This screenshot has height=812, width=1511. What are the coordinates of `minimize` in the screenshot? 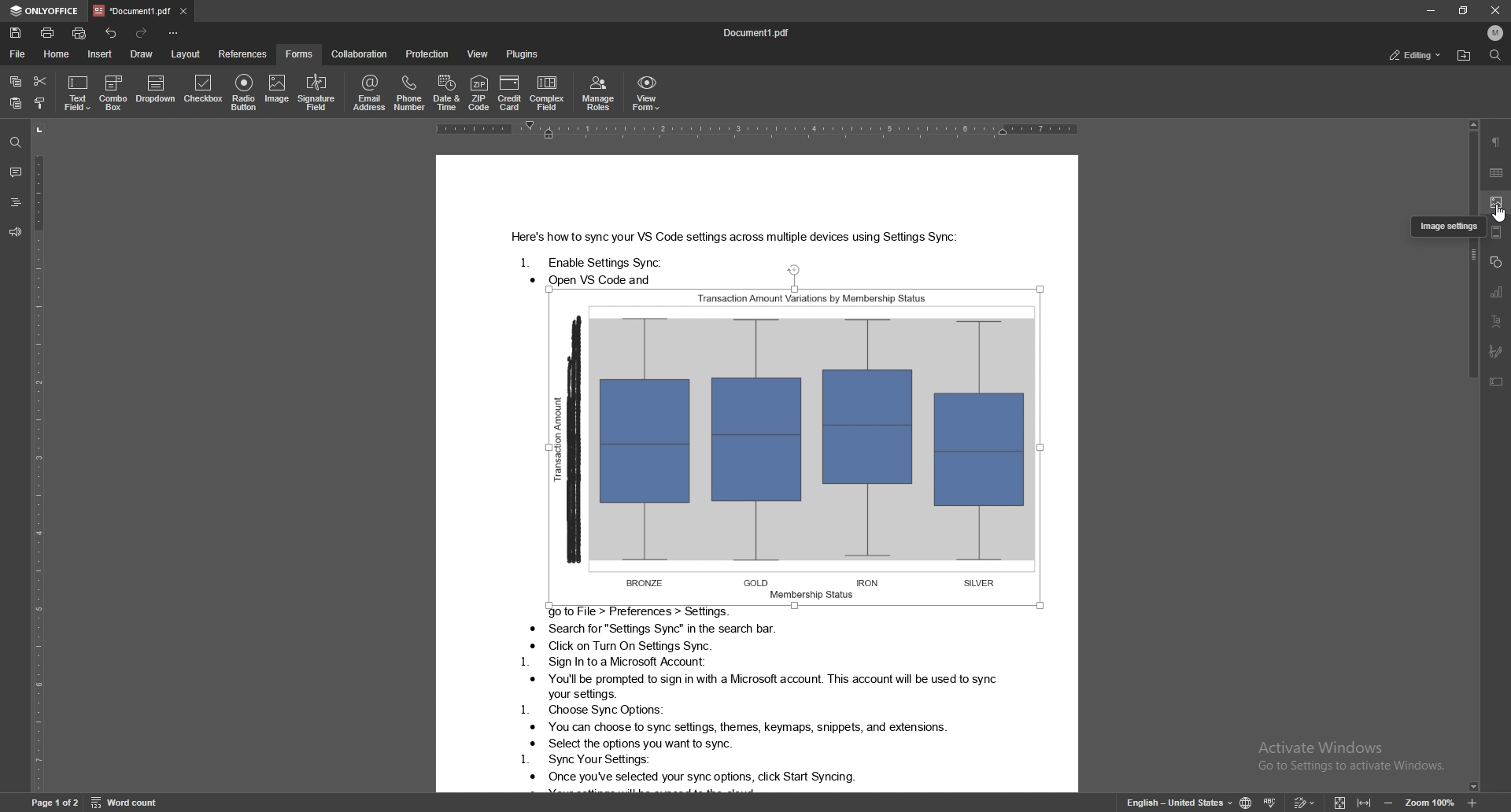 It's located at (1432, 10).